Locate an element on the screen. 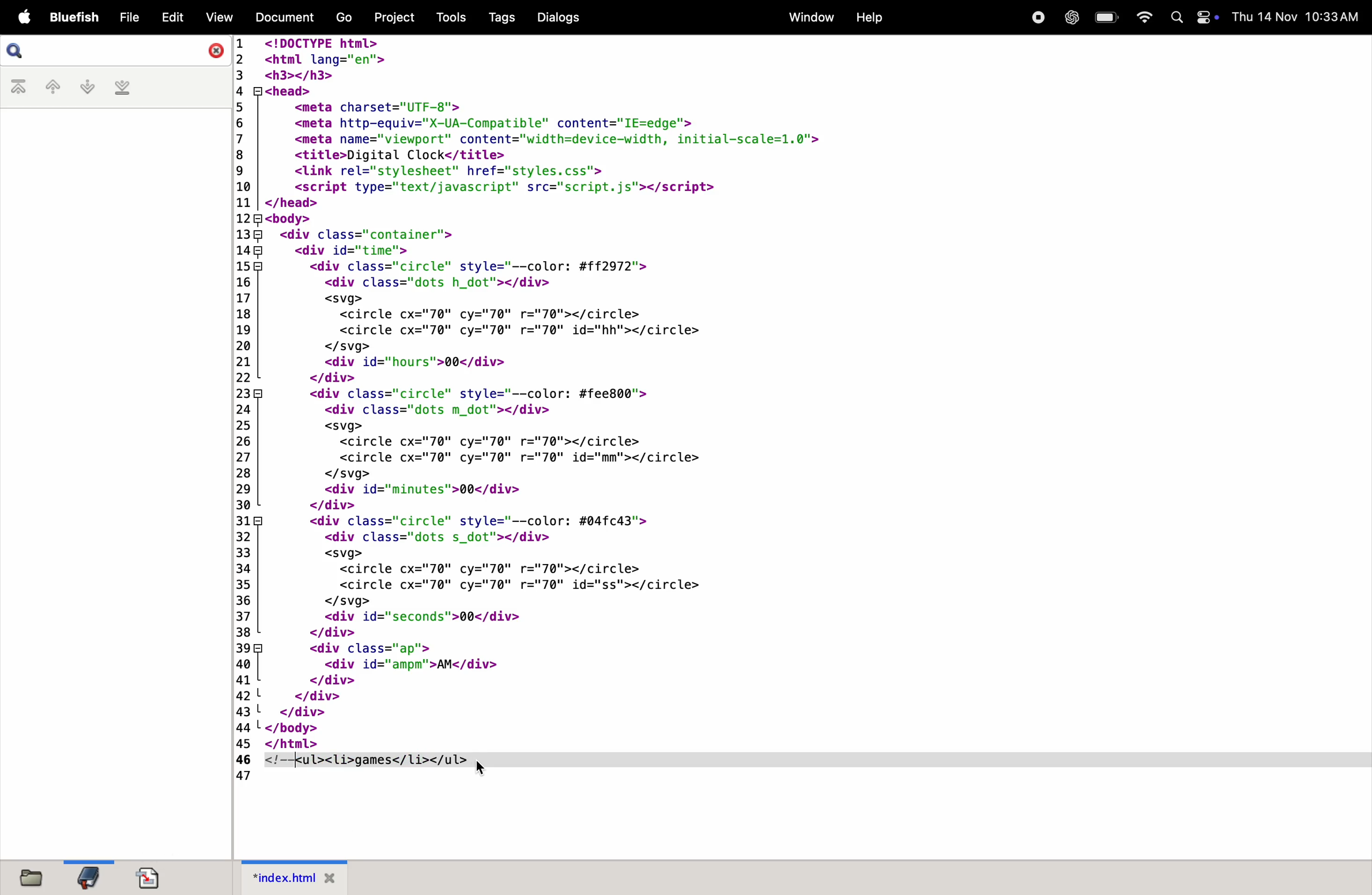 The height and width of the screenshot is (895, 1372). battery is located at coordinates (1104, 18).